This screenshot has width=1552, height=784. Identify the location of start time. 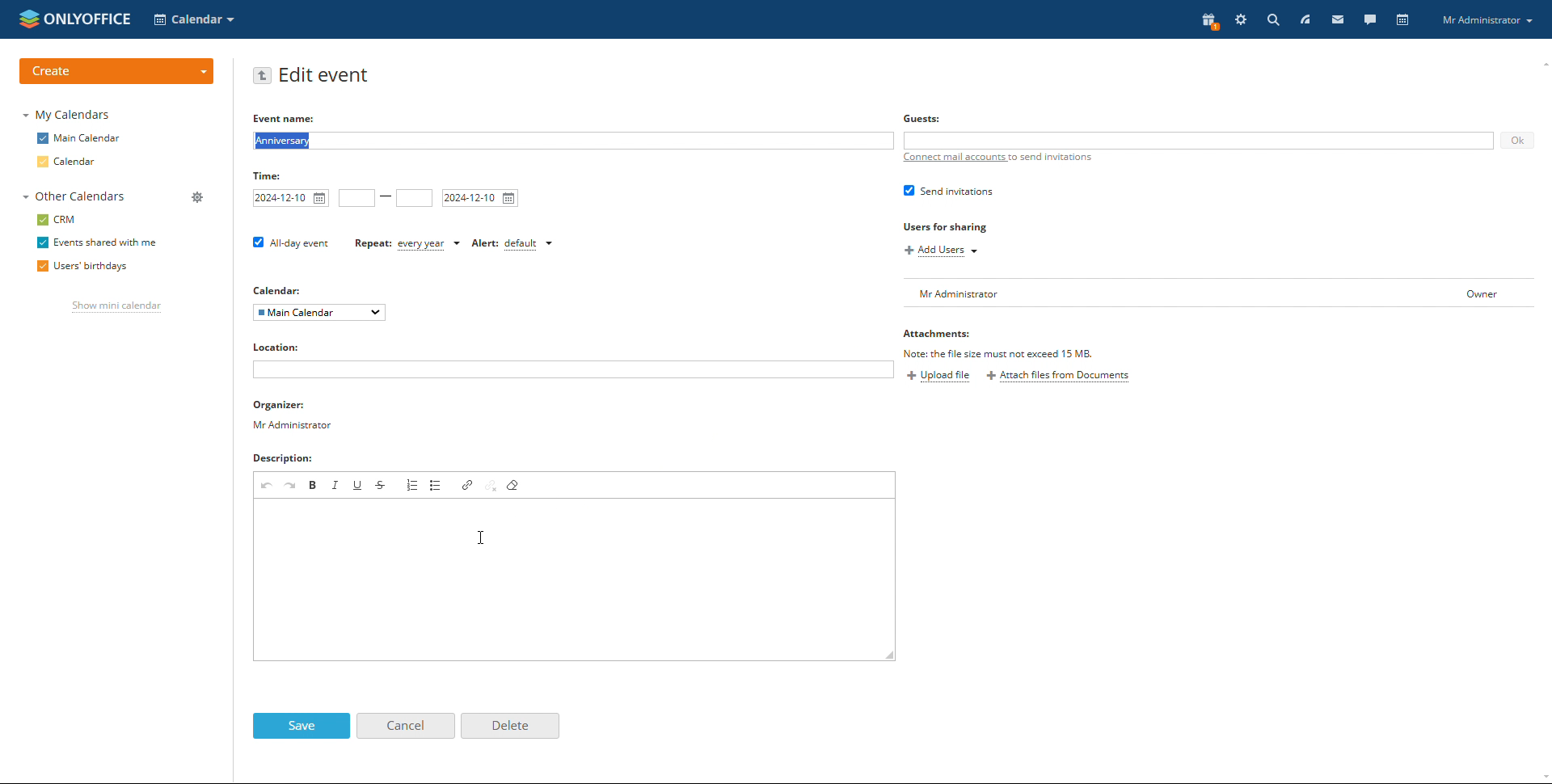
(357, 198).